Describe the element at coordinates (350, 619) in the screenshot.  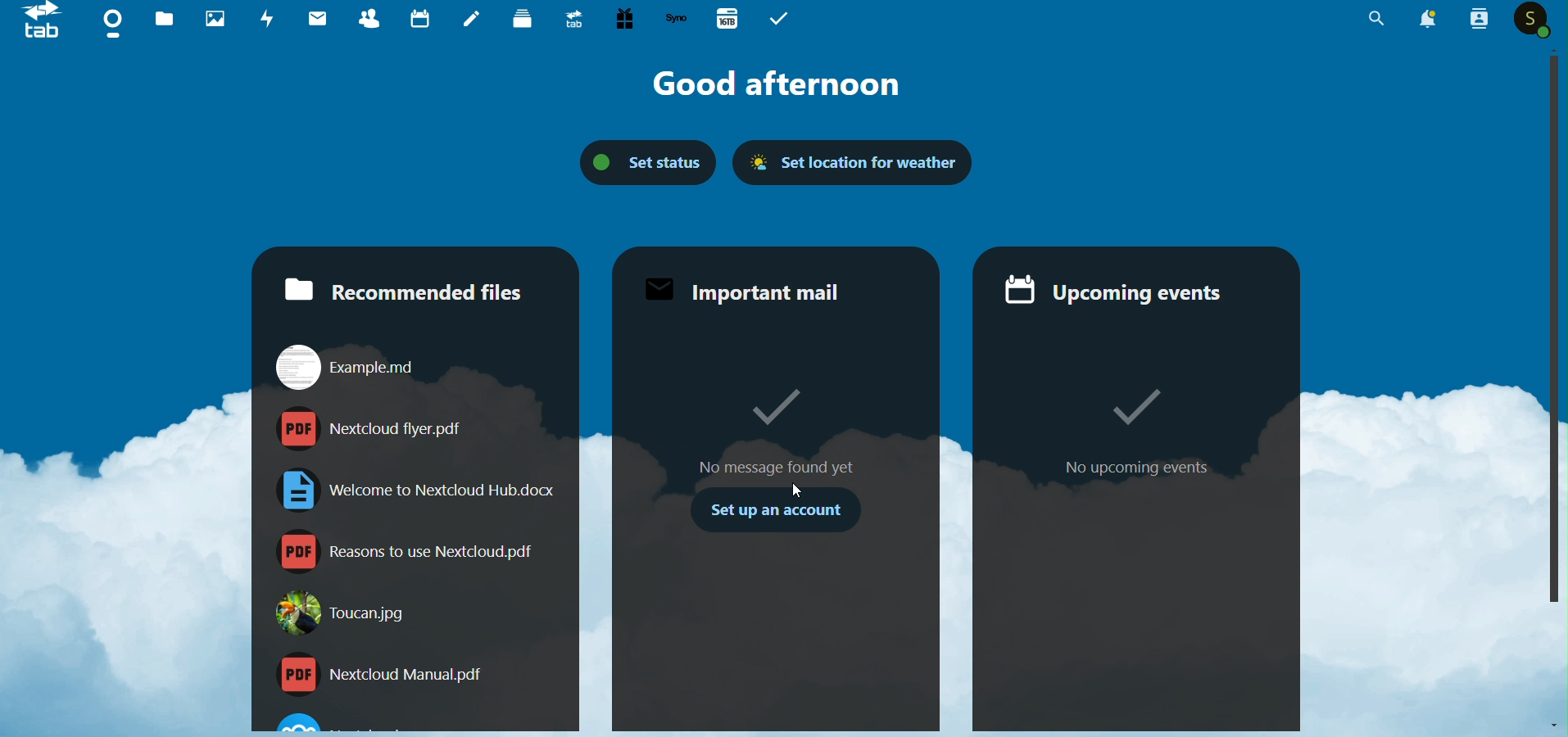
I see `Toucan.jpg` at that location.